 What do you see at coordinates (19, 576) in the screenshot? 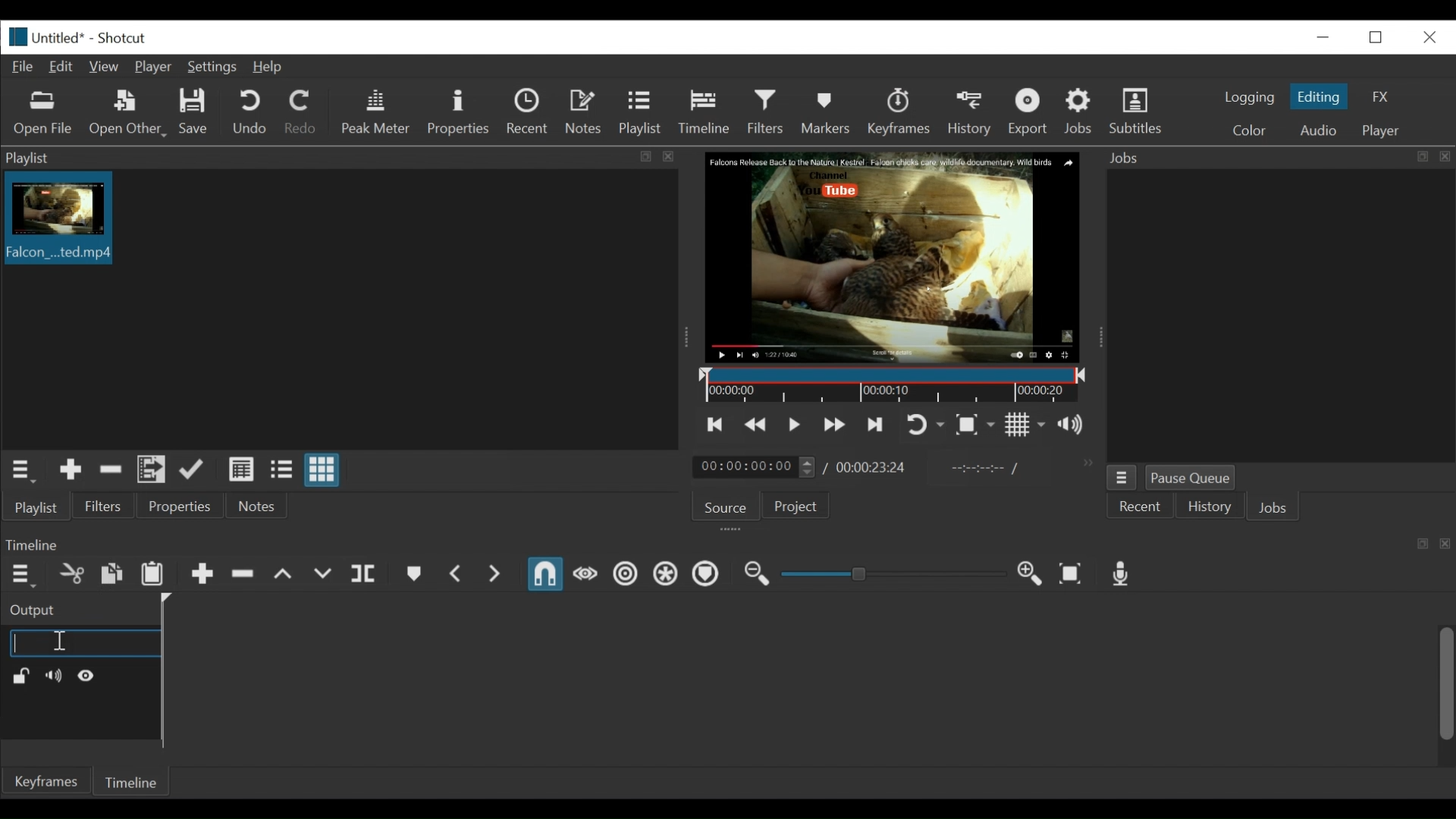
I see `Timeline menu` at bounding box center [19, 576].